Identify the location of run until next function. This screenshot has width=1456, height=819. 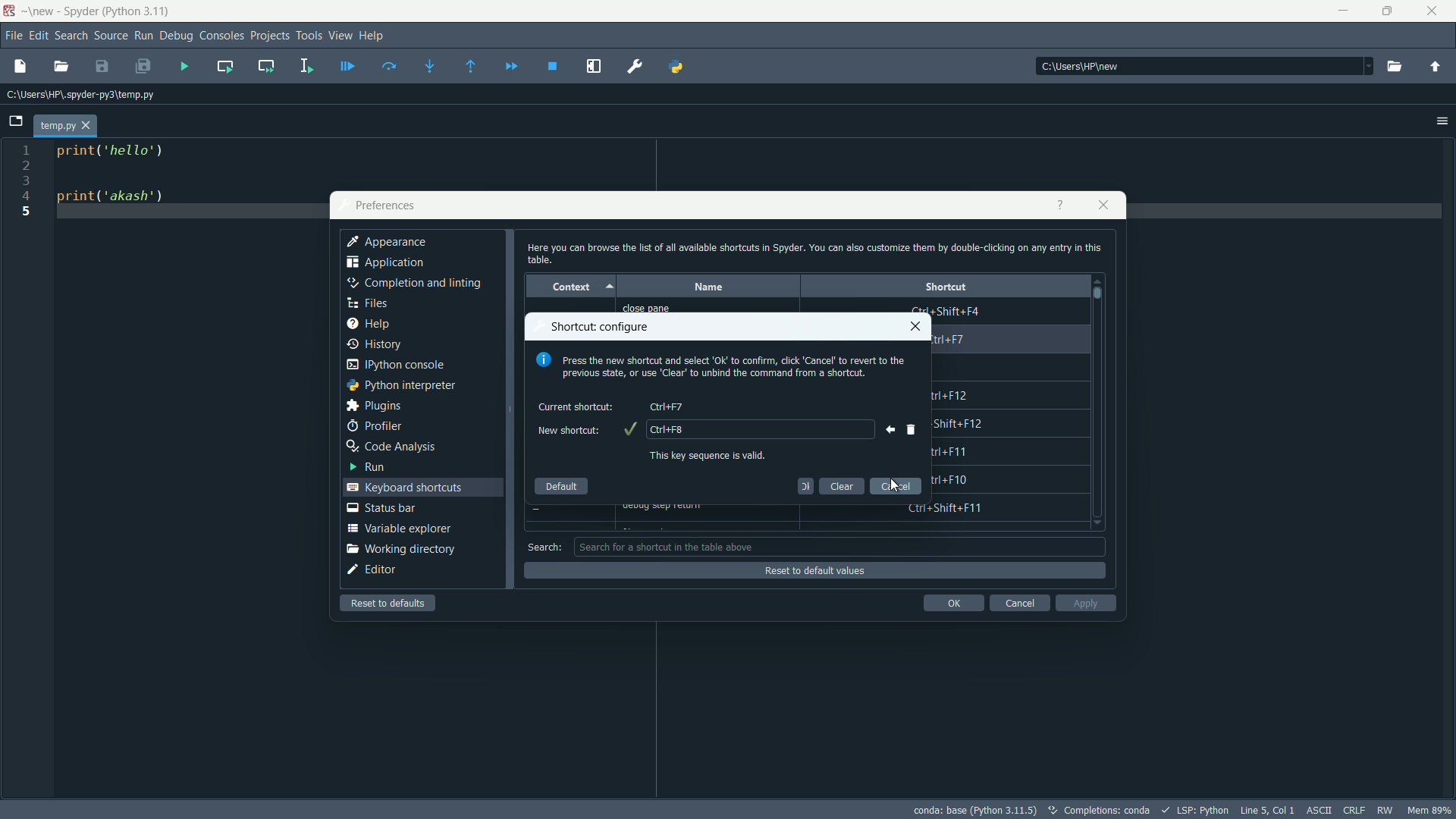
(472, 67).